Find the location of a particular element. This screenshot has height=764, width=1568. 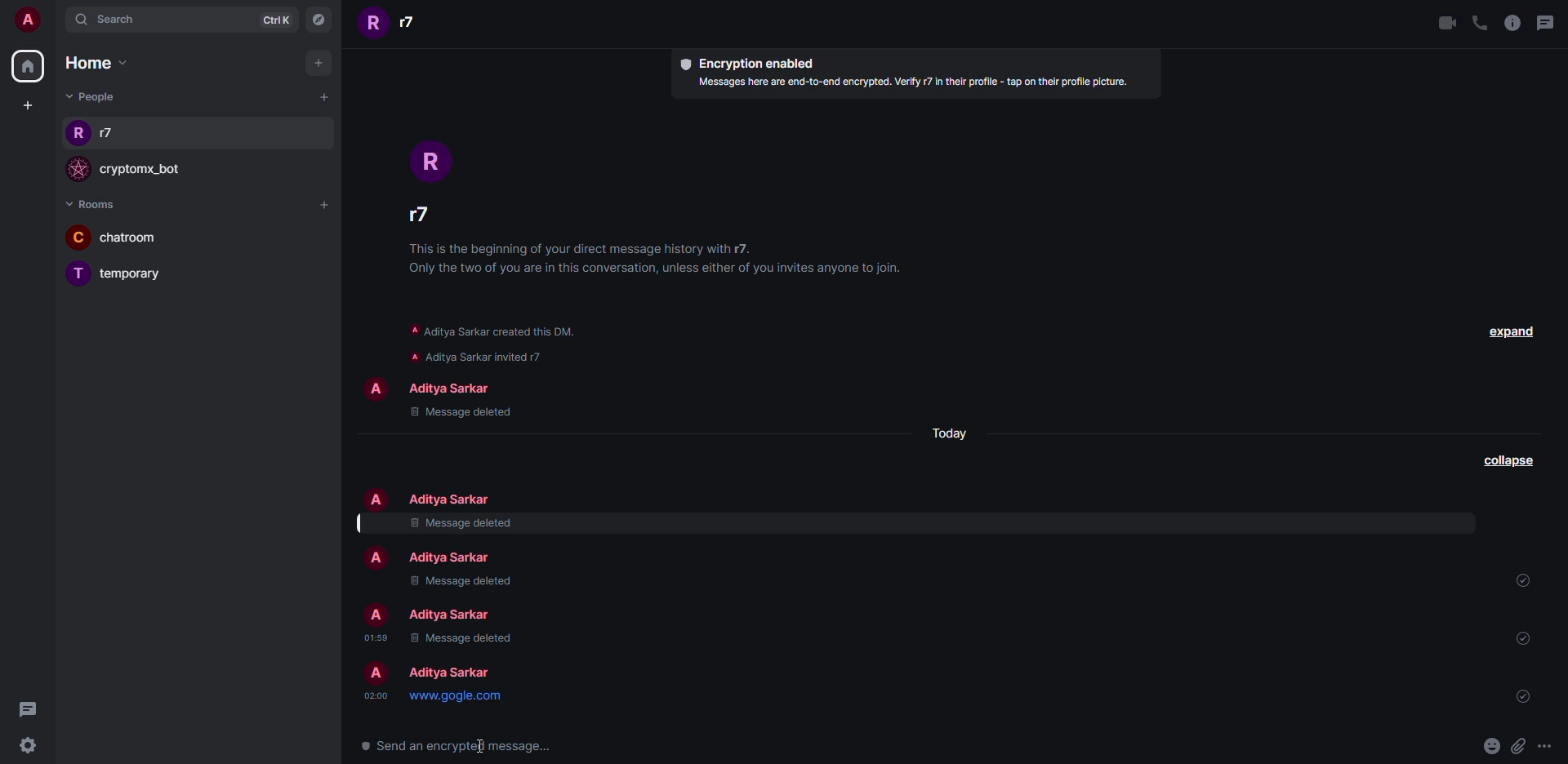

people is located at coordinates (455, 616).